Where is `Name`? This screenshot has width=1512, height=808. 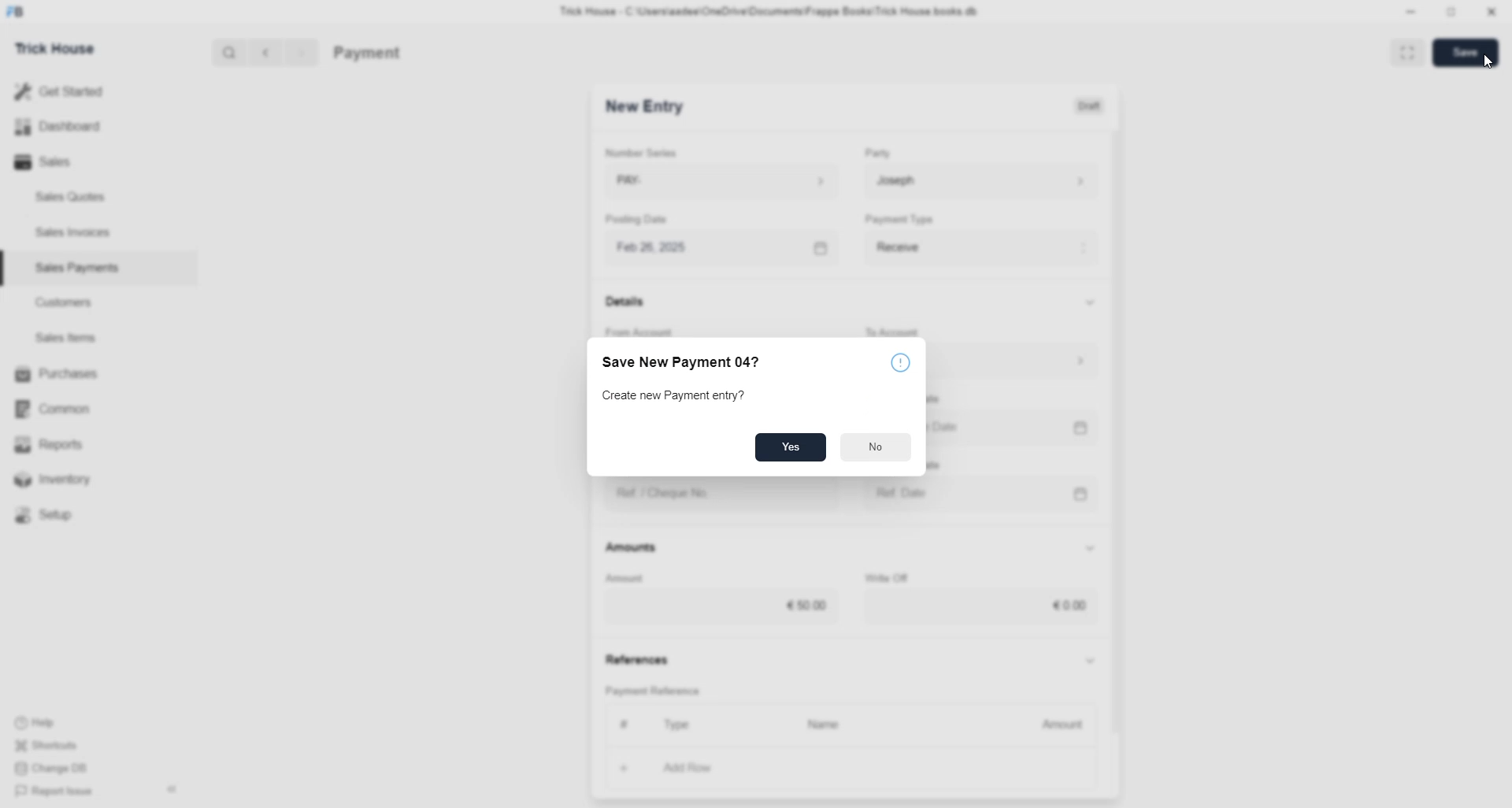 Name is located at coordinates (828, 726).